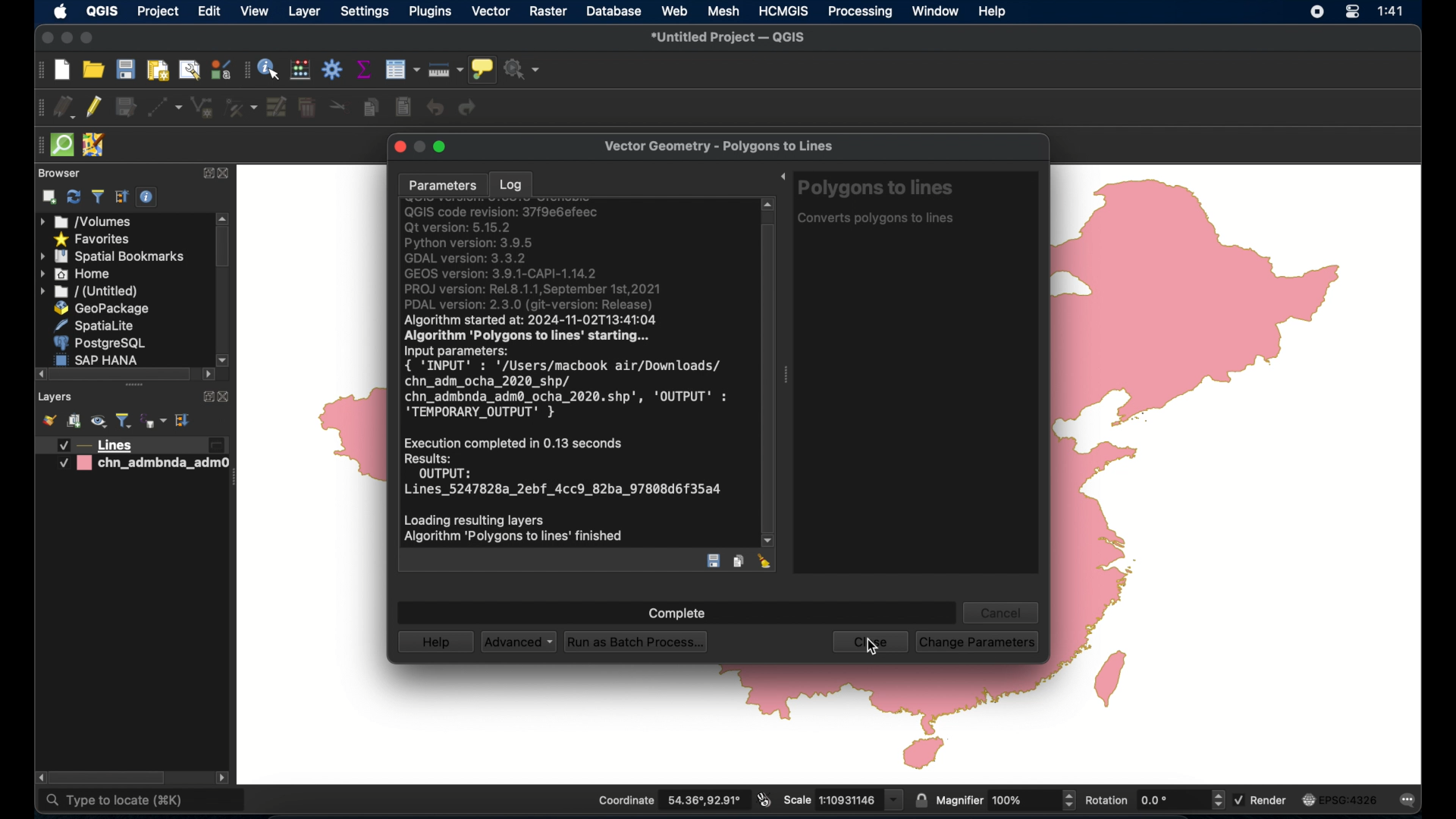  Describe the element at coordinates (362, 68) in the screenshot. I see `show statistical summary` at that location.